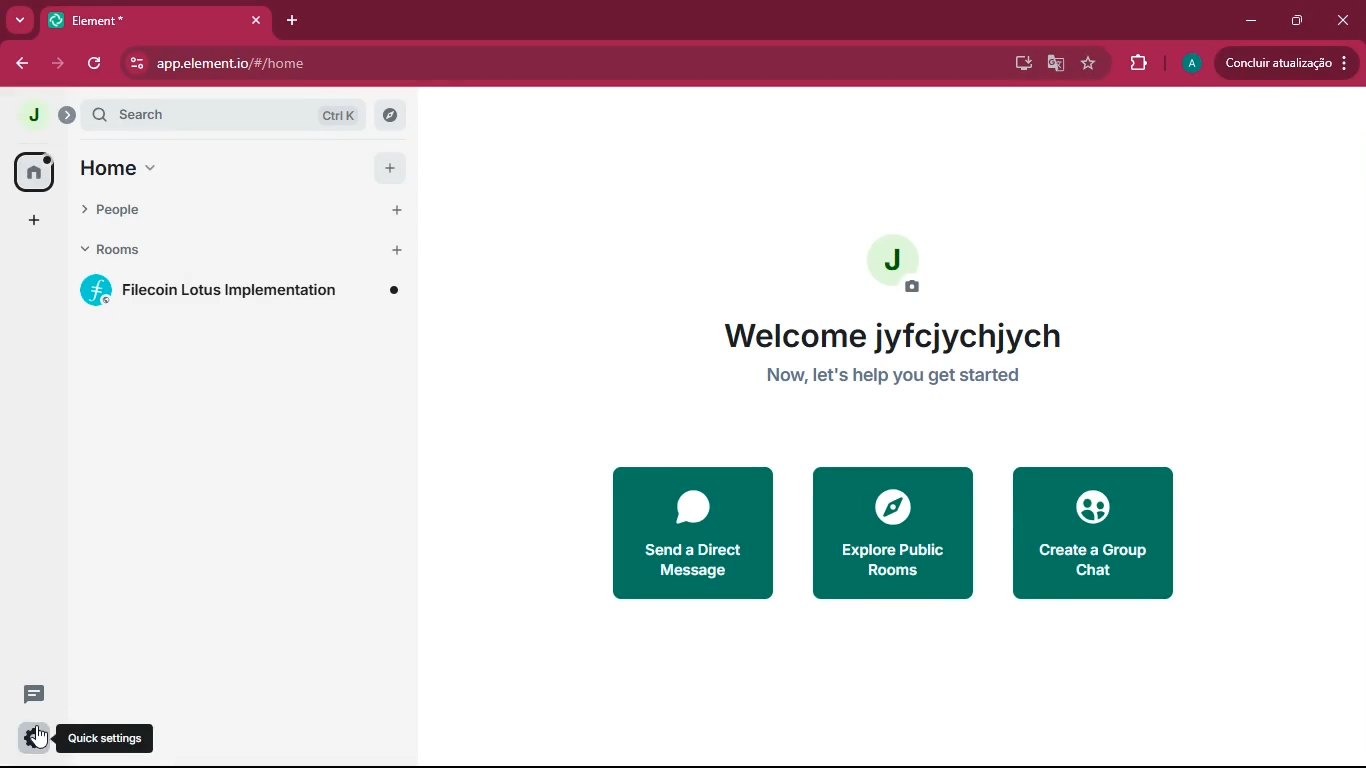  I want to click on back, so click(23, 66).